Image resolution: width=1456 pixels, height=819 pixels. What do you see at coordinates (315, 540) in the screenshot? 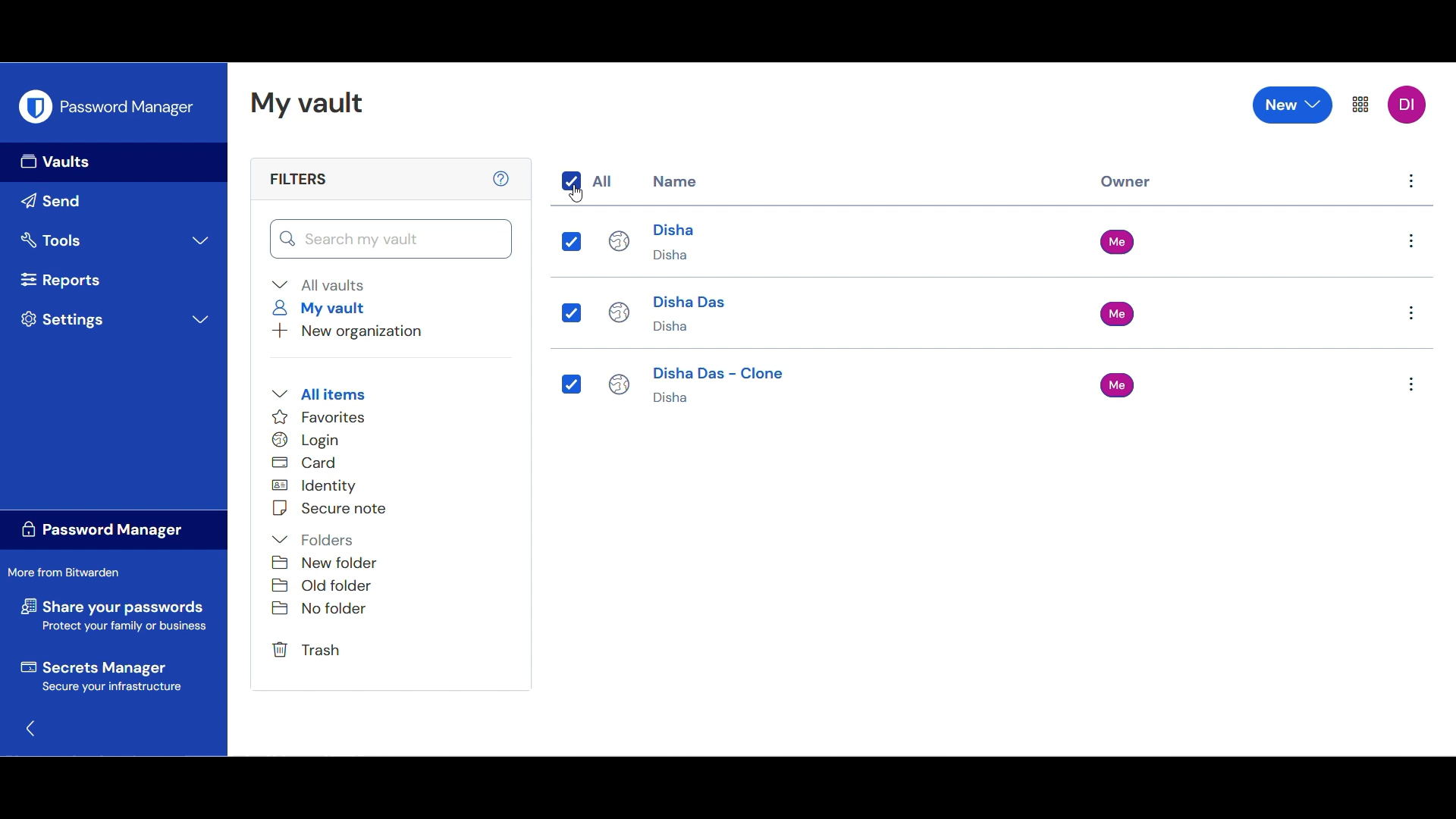
I see `Collapse folders` at bounding box center [315, 540].